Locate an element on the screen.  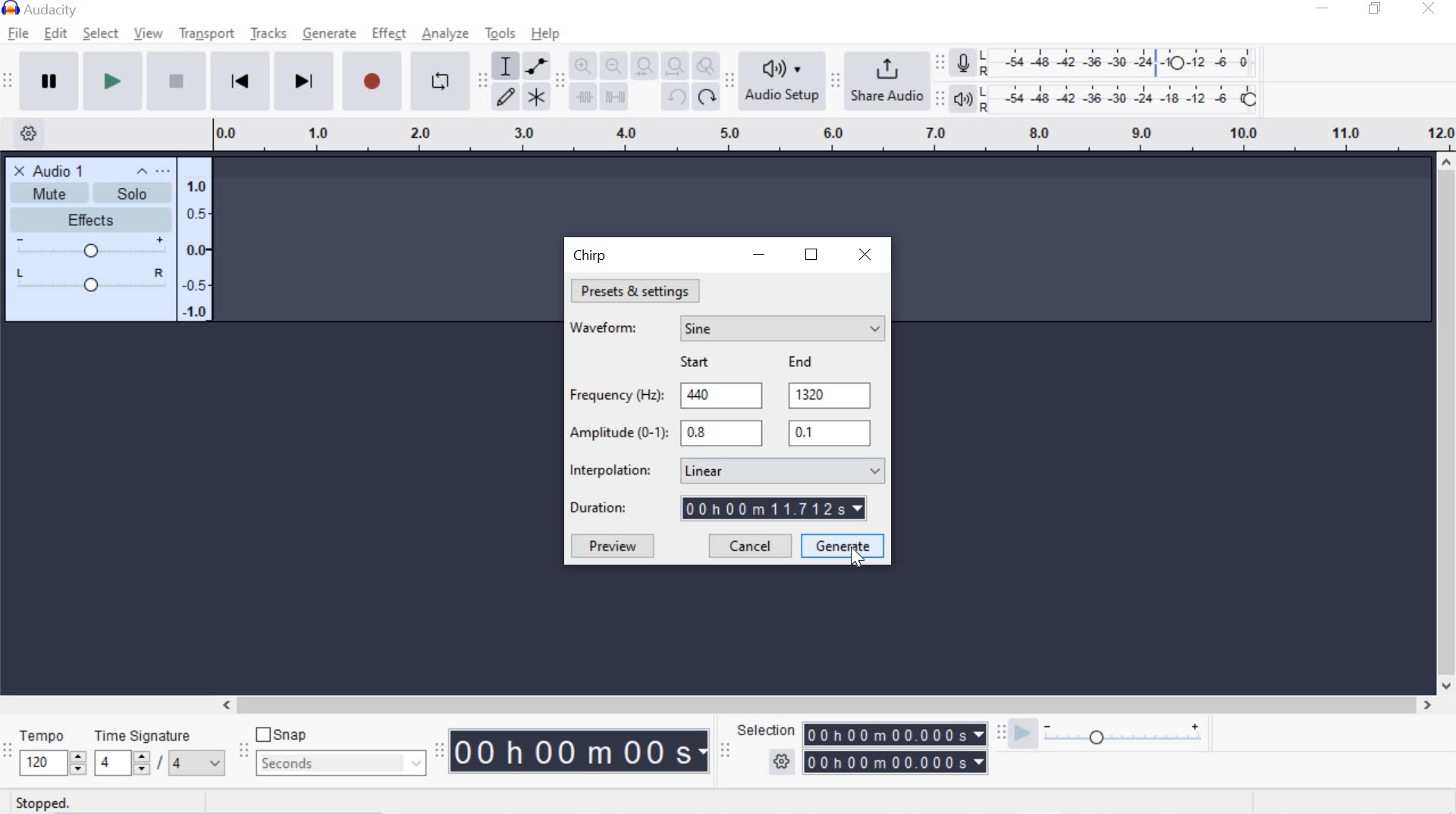
time selection is located at coordinates (895, 734).